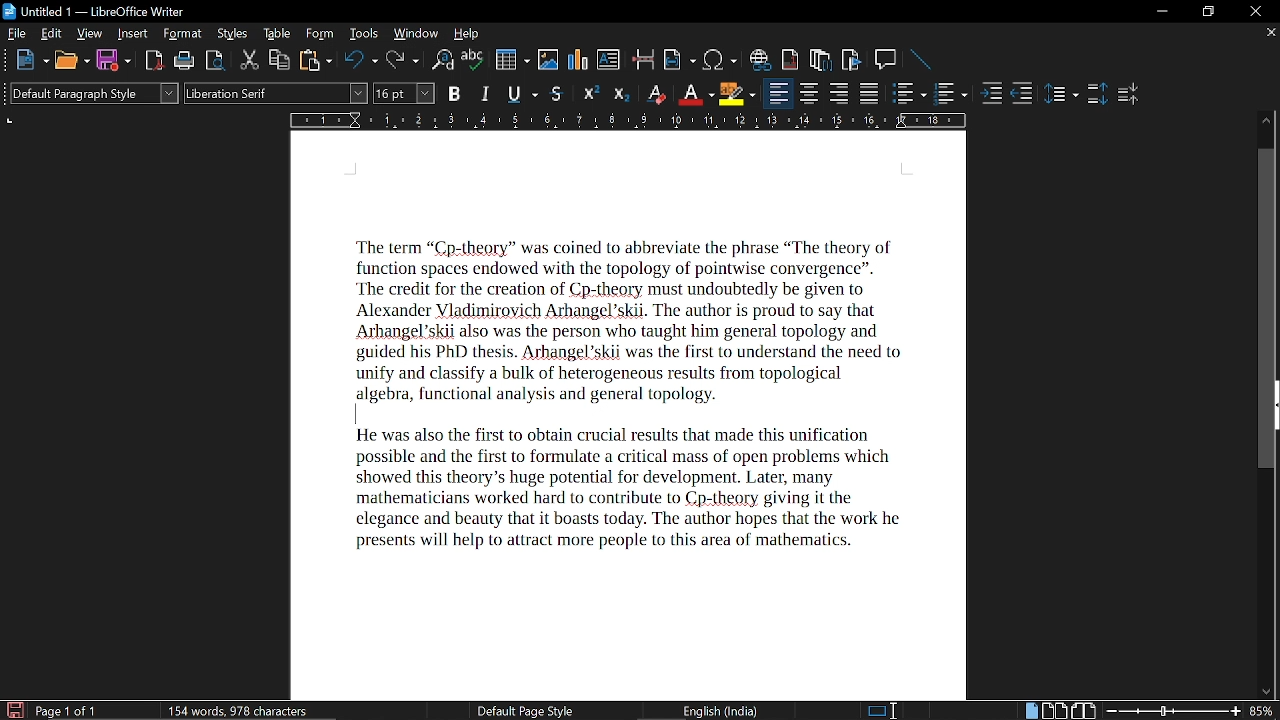  I want to click on UNdo, so click(362, 61).